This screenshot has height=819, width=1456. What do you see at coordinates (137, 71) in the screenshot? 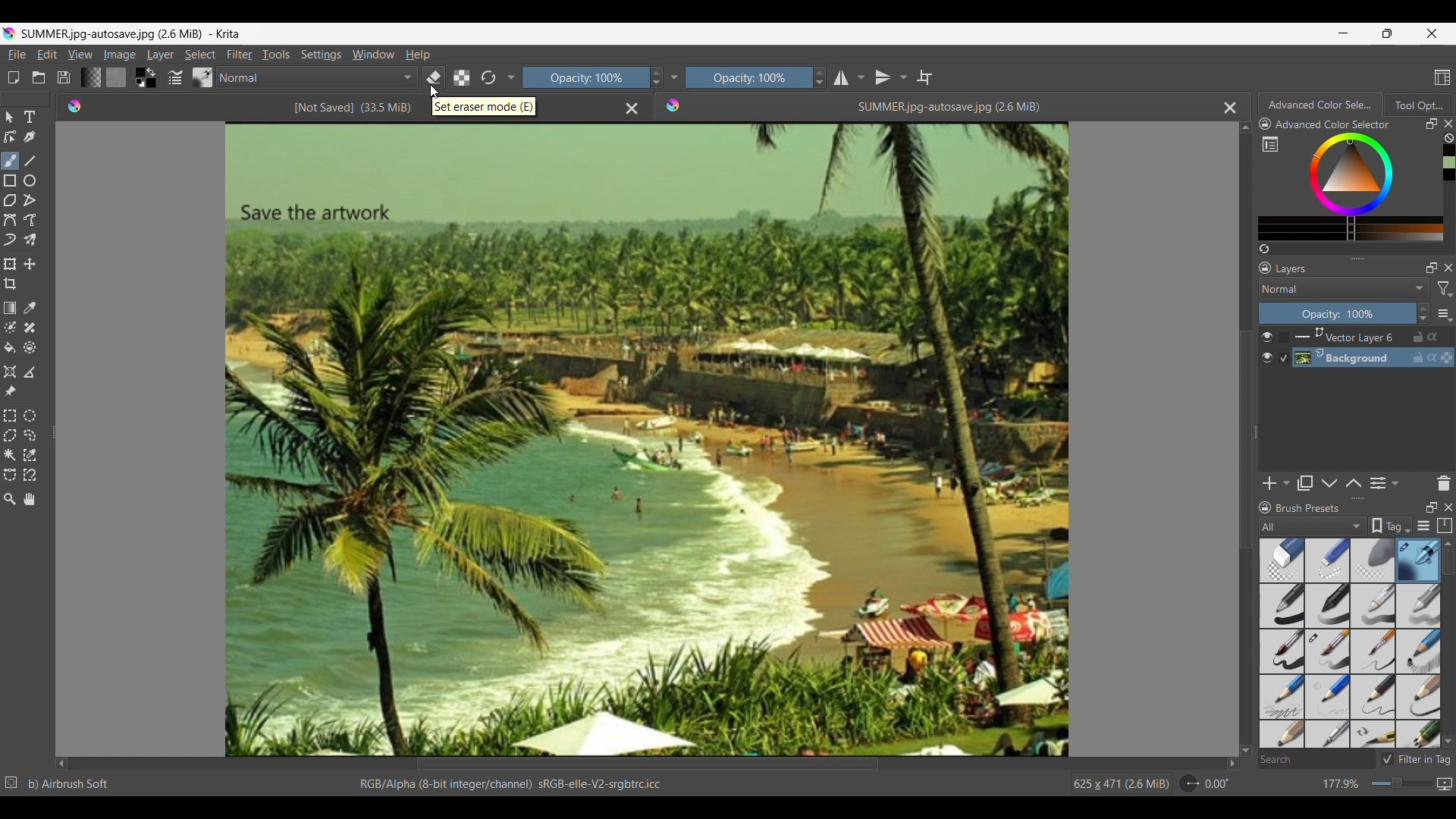
I see `Foreground color` at bounding box center [137, 71].